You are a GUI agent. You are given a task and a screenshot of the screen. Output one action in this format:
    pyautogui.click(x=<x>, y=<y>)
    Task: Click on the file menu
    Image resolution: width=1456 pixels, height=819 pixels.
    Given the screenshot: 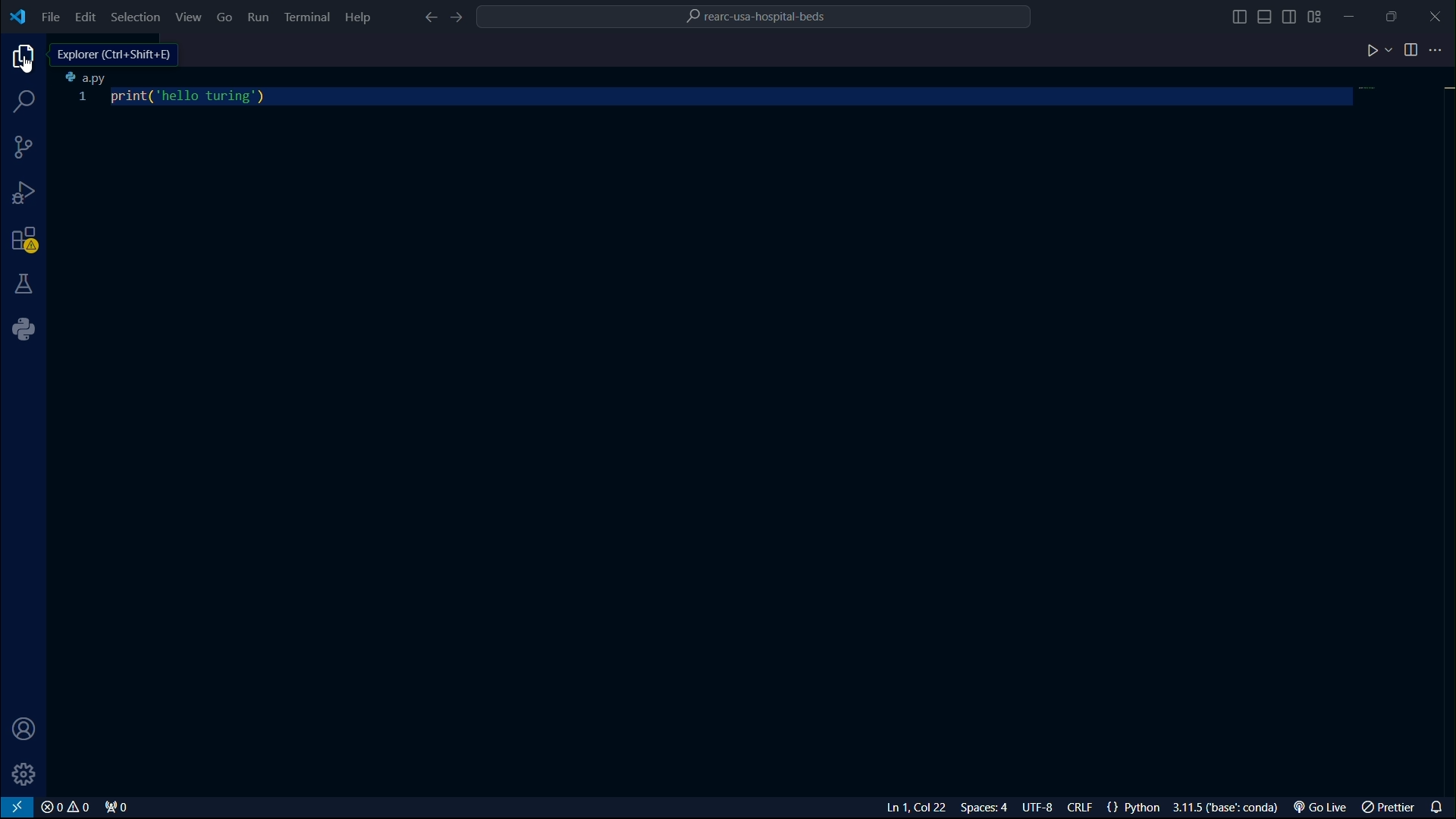 What is the action you would take?
    pyautogui.click(x=49, y=16)
    